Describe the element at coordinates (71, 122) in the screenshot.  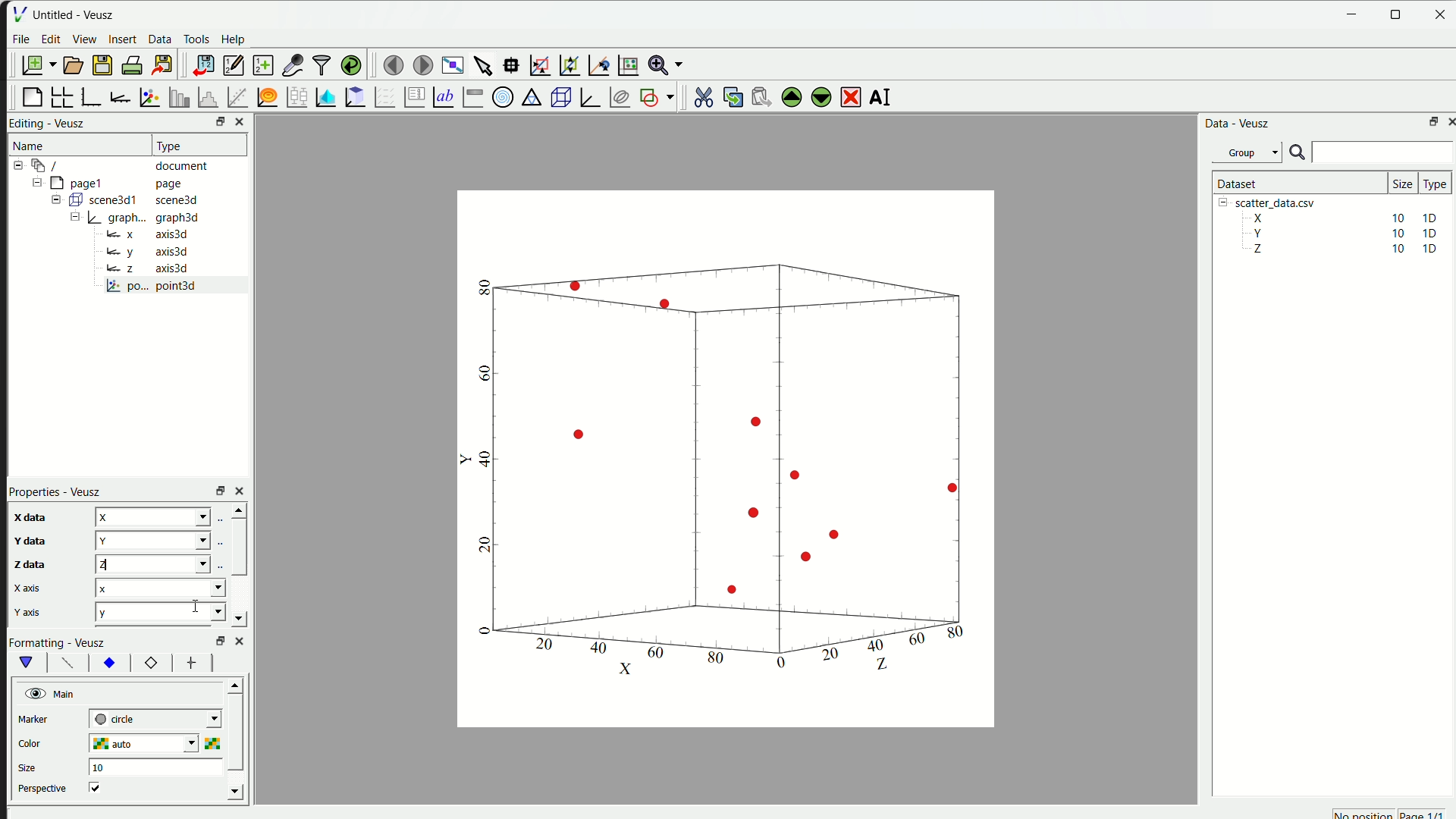
I see `Veusz` at that location.